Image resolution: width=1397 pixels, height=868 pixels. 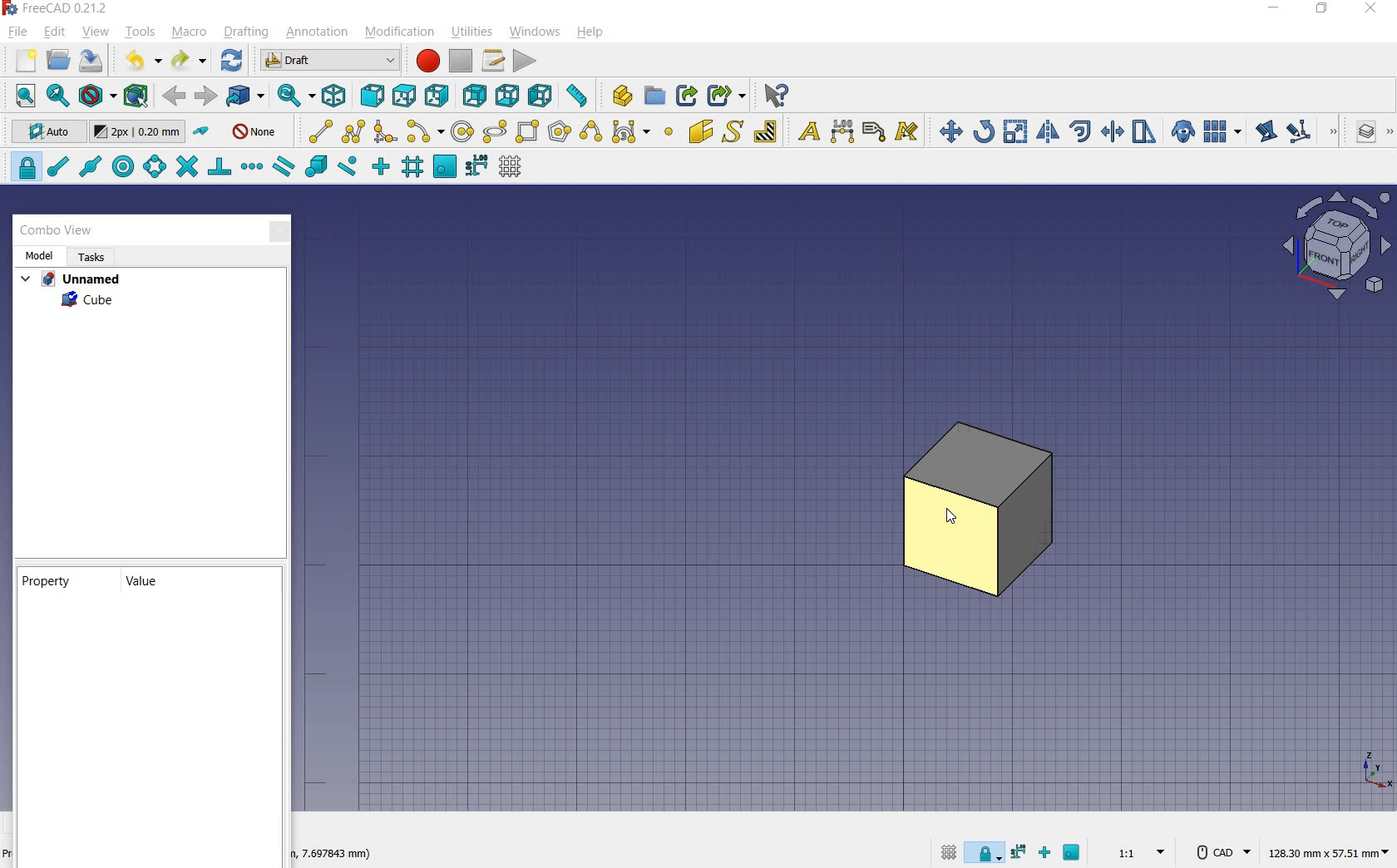 I want to click on measure distance, so click(x=578, y=96).